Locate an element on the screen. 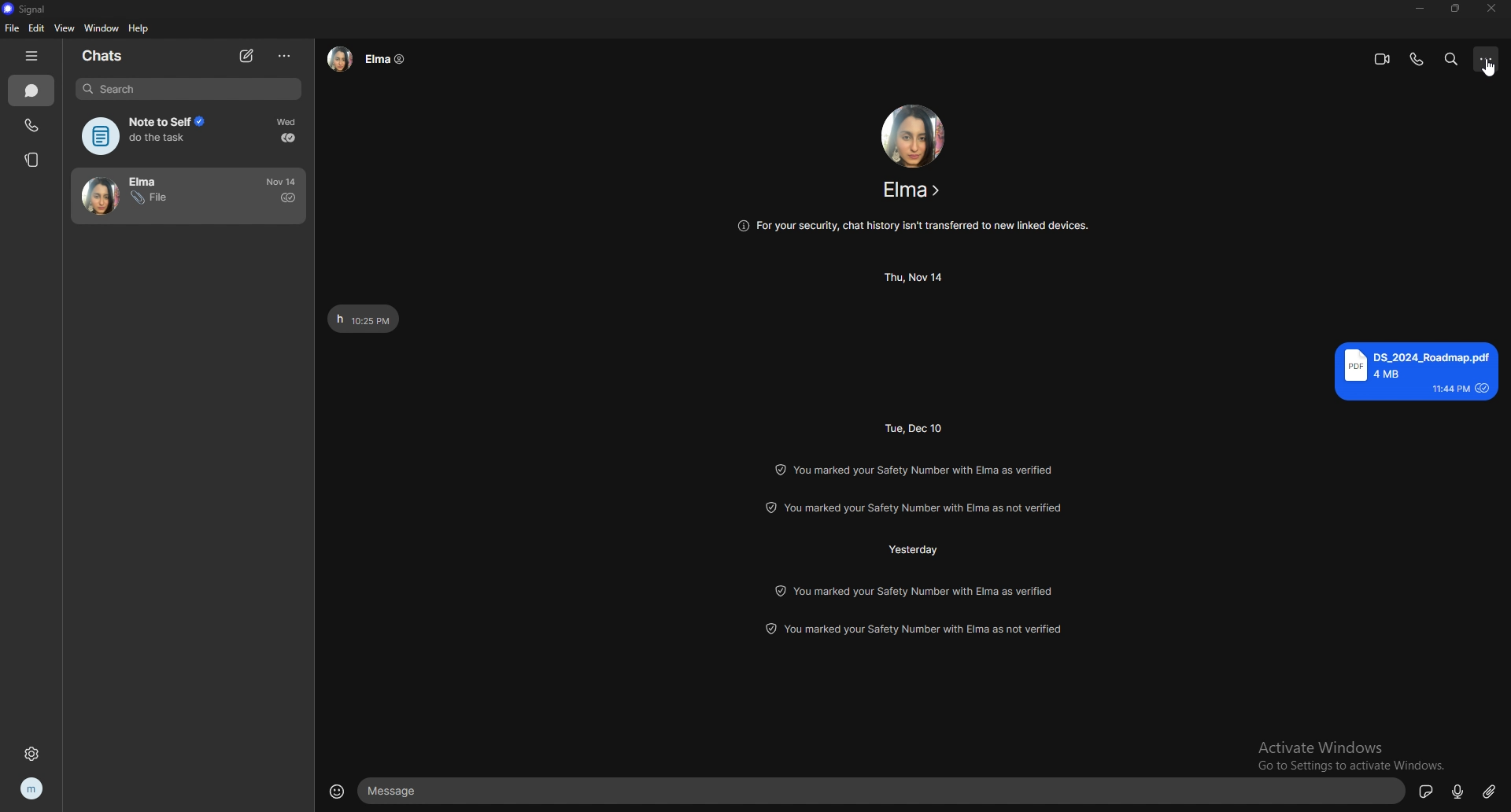 The width and height of the screenshot is (1511, 812). contact info is located at coordinates (912, 190).